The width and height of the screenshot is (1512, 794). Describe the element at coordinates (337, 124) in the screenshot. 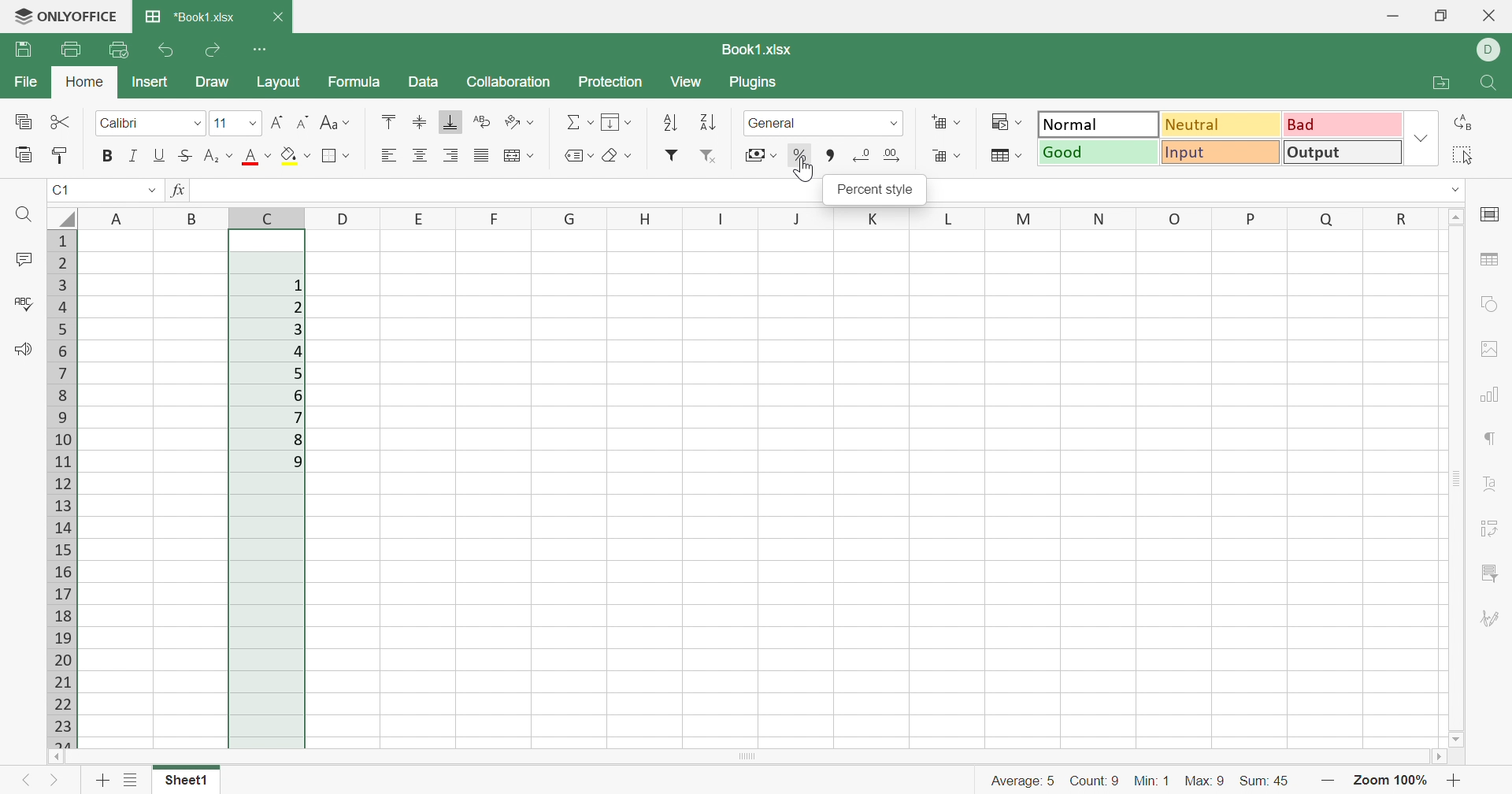

I see `Change case` at that location.